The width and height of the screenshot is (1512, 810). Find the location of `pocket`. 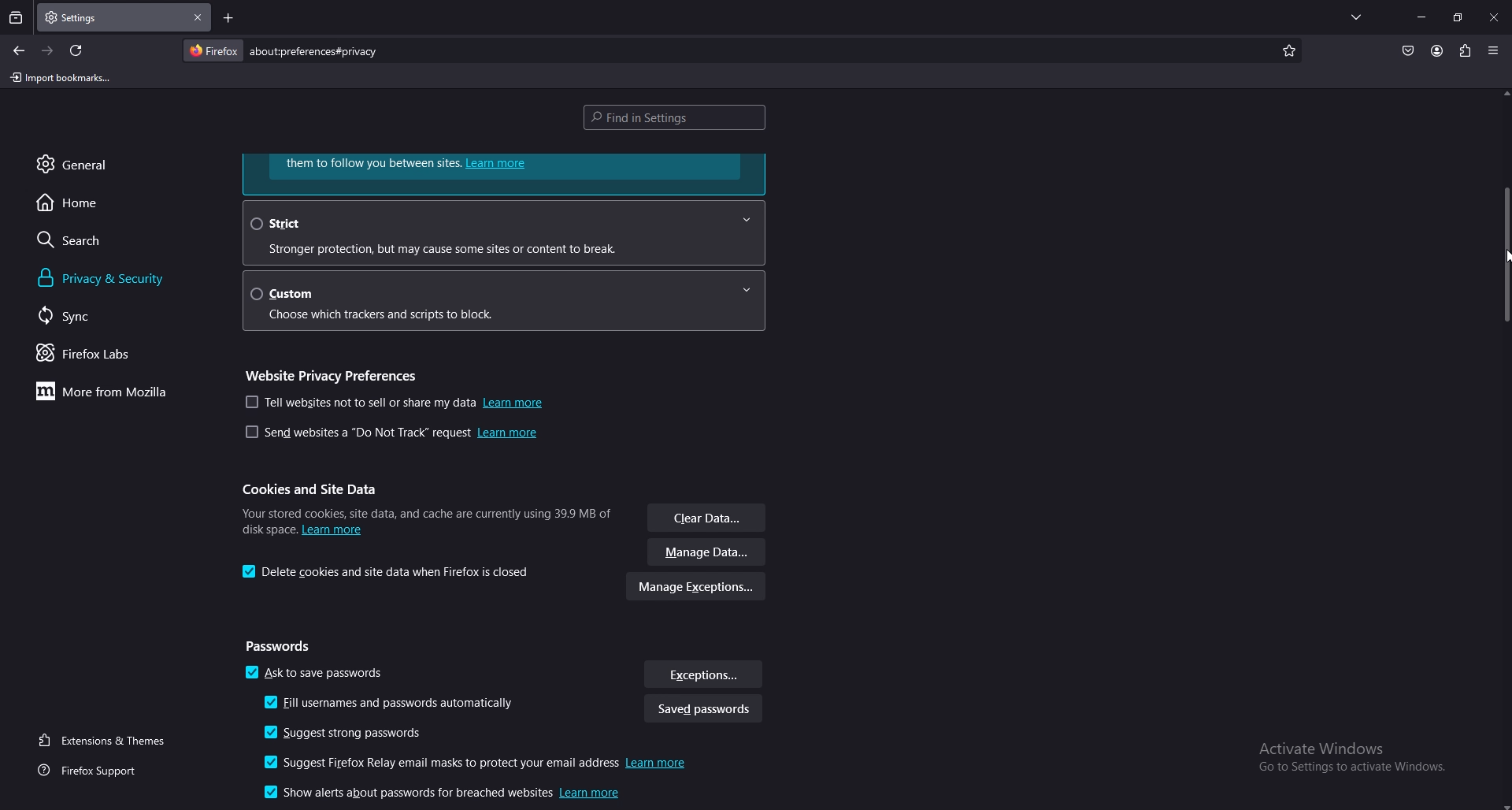

pocket is located at coordinates (1407, 50).